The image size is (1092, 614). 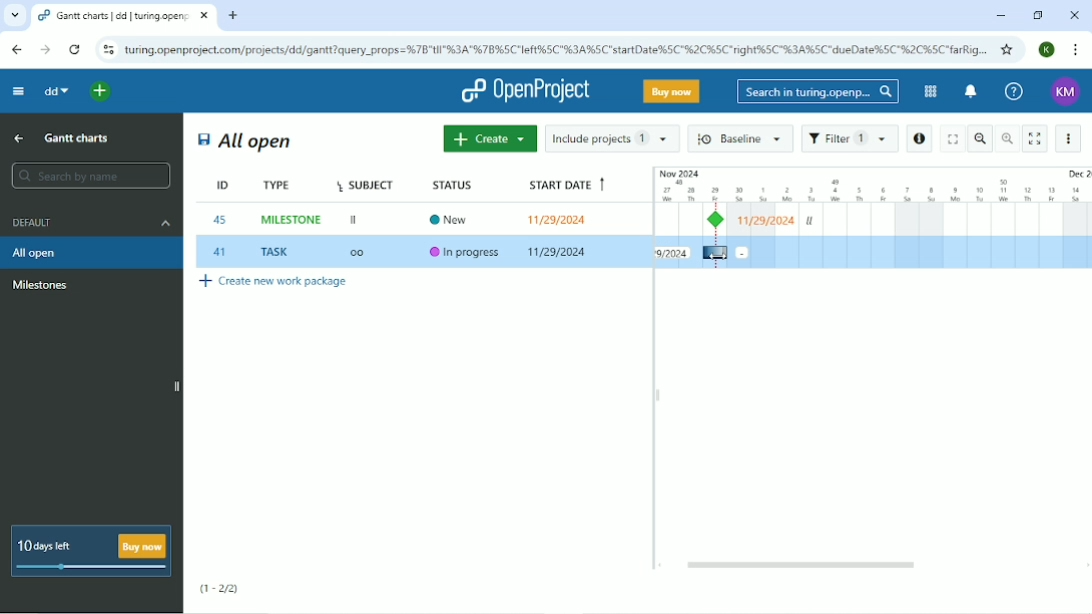 I want to click on New, so click(x=454, y=218).